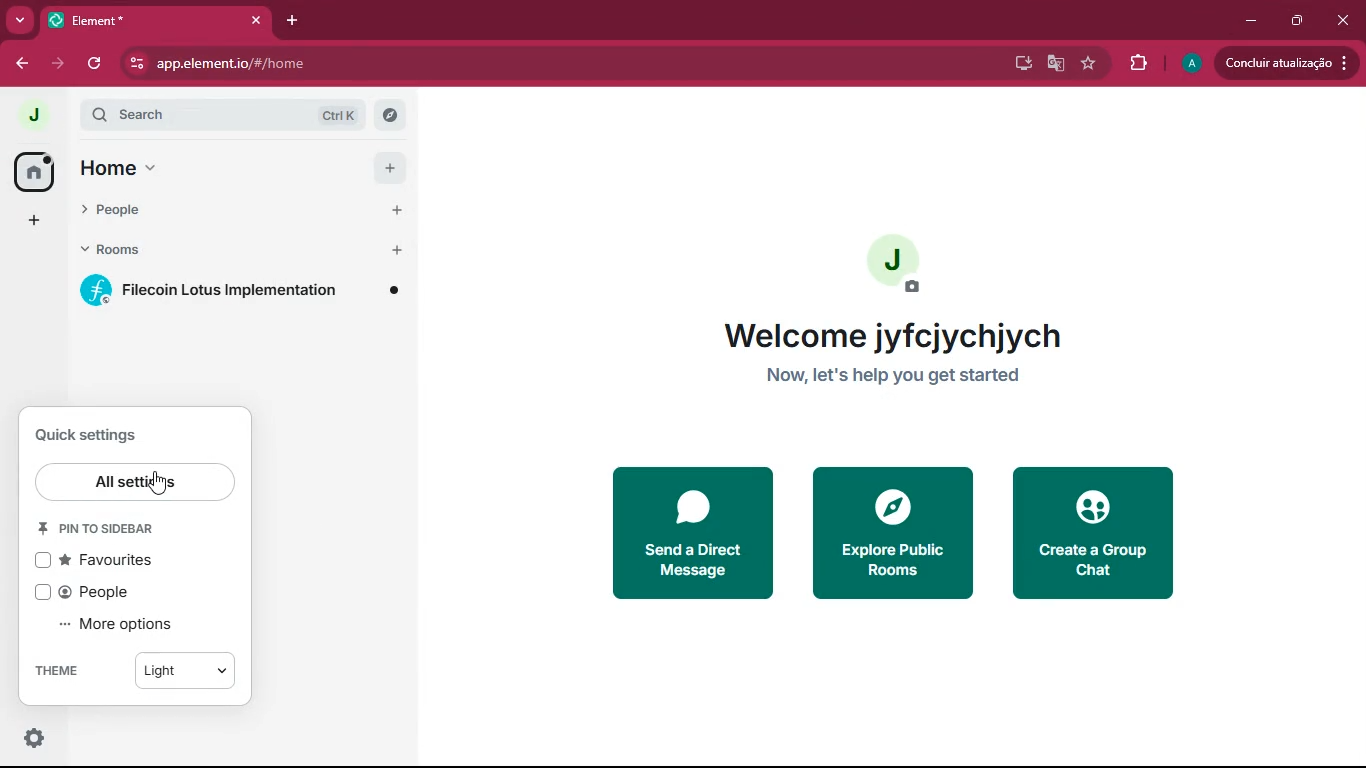  What do you see at coordinates (100, 436) in the screenshot?
I see `settings` at bounding box center [100, 436].